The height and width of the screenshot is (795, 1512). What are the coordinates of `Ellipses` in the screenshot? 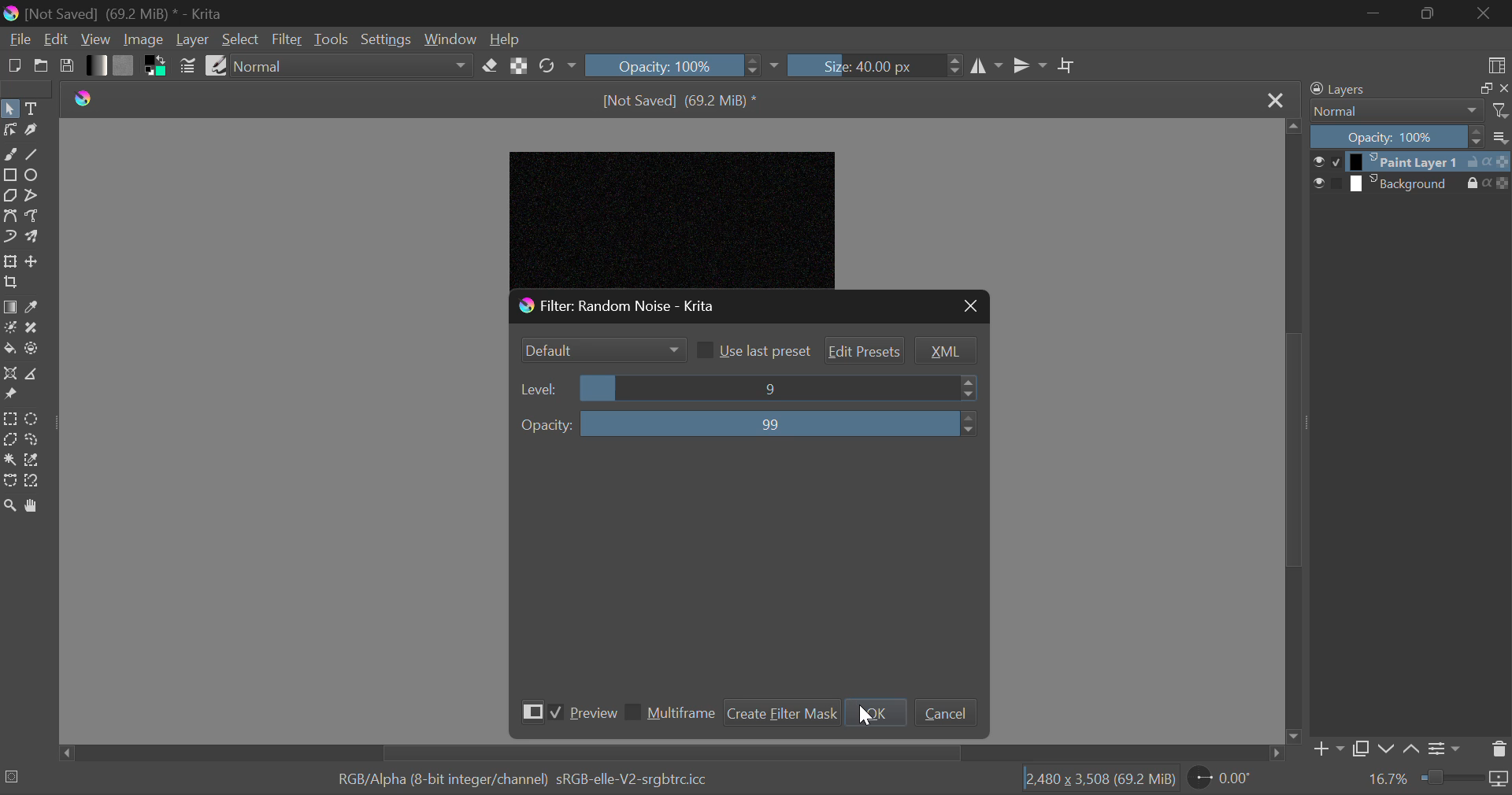 It's located at (32, 176).